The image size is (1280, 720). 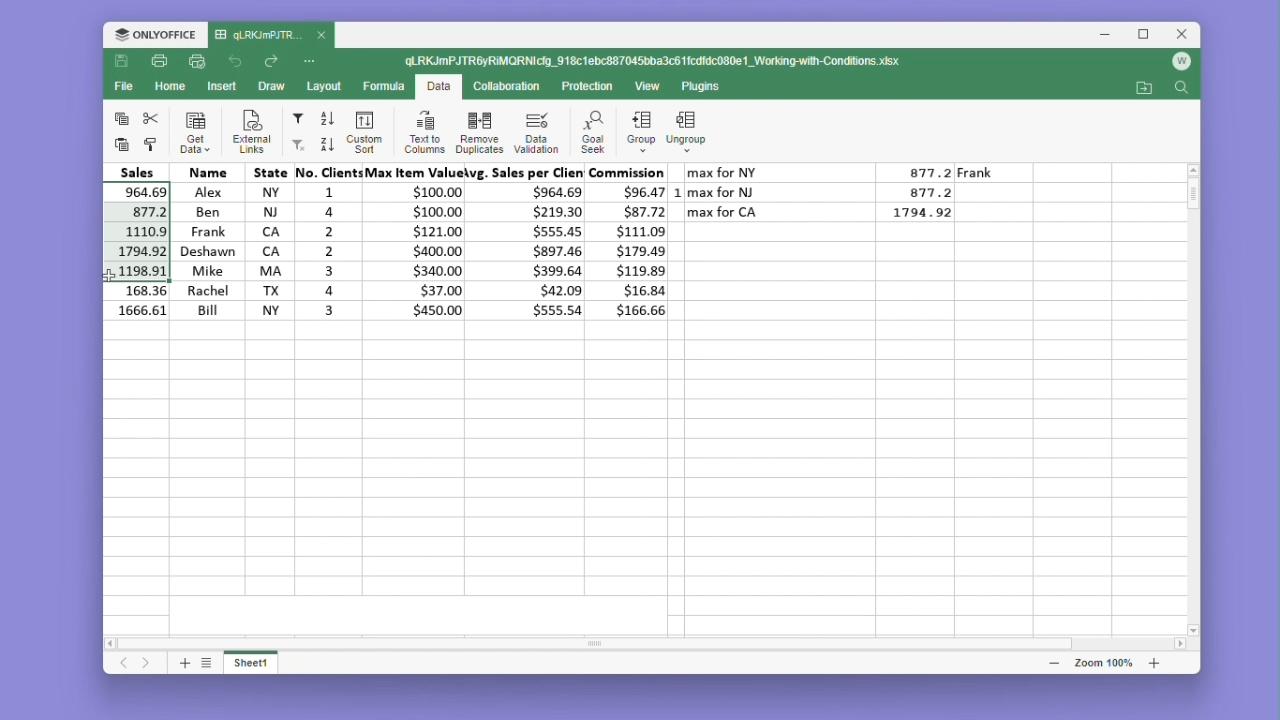 I want to click on Data validation, so click(x=536, y=132).